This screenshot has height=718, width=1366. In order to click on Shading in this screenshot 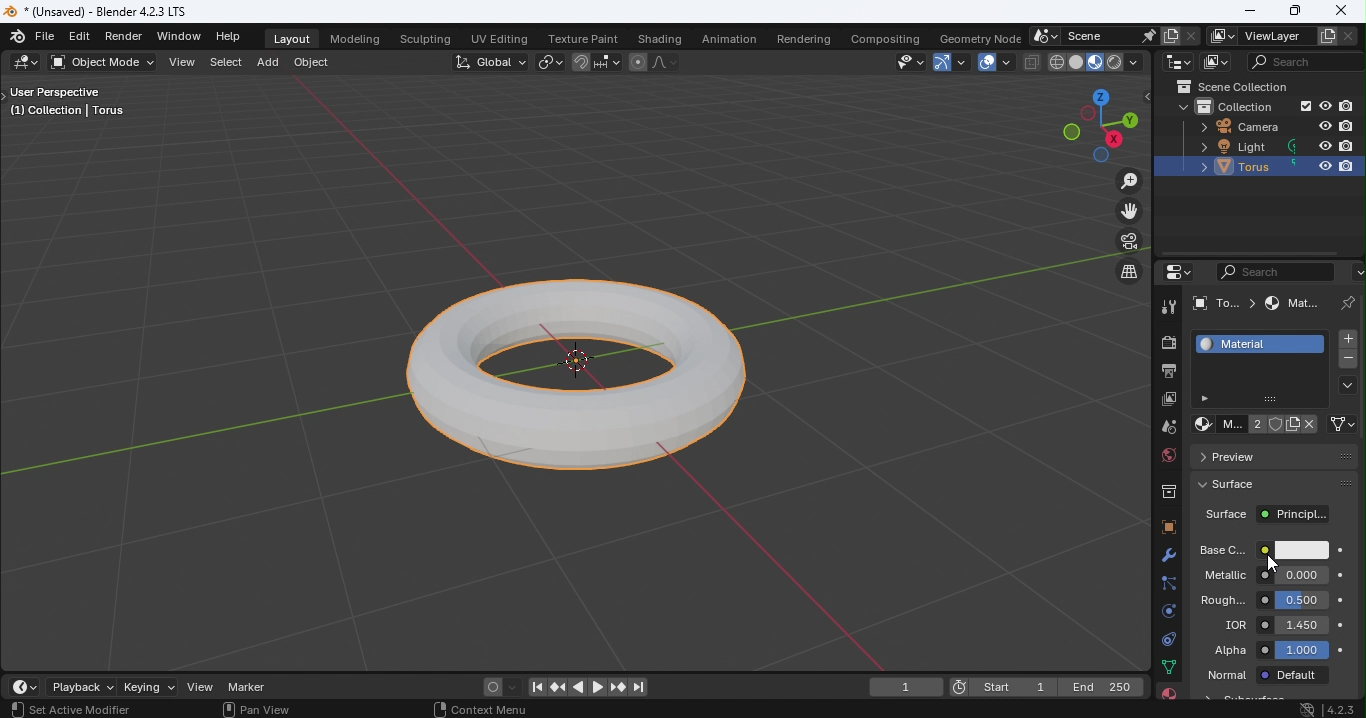, I will do `click(660, 37)`.